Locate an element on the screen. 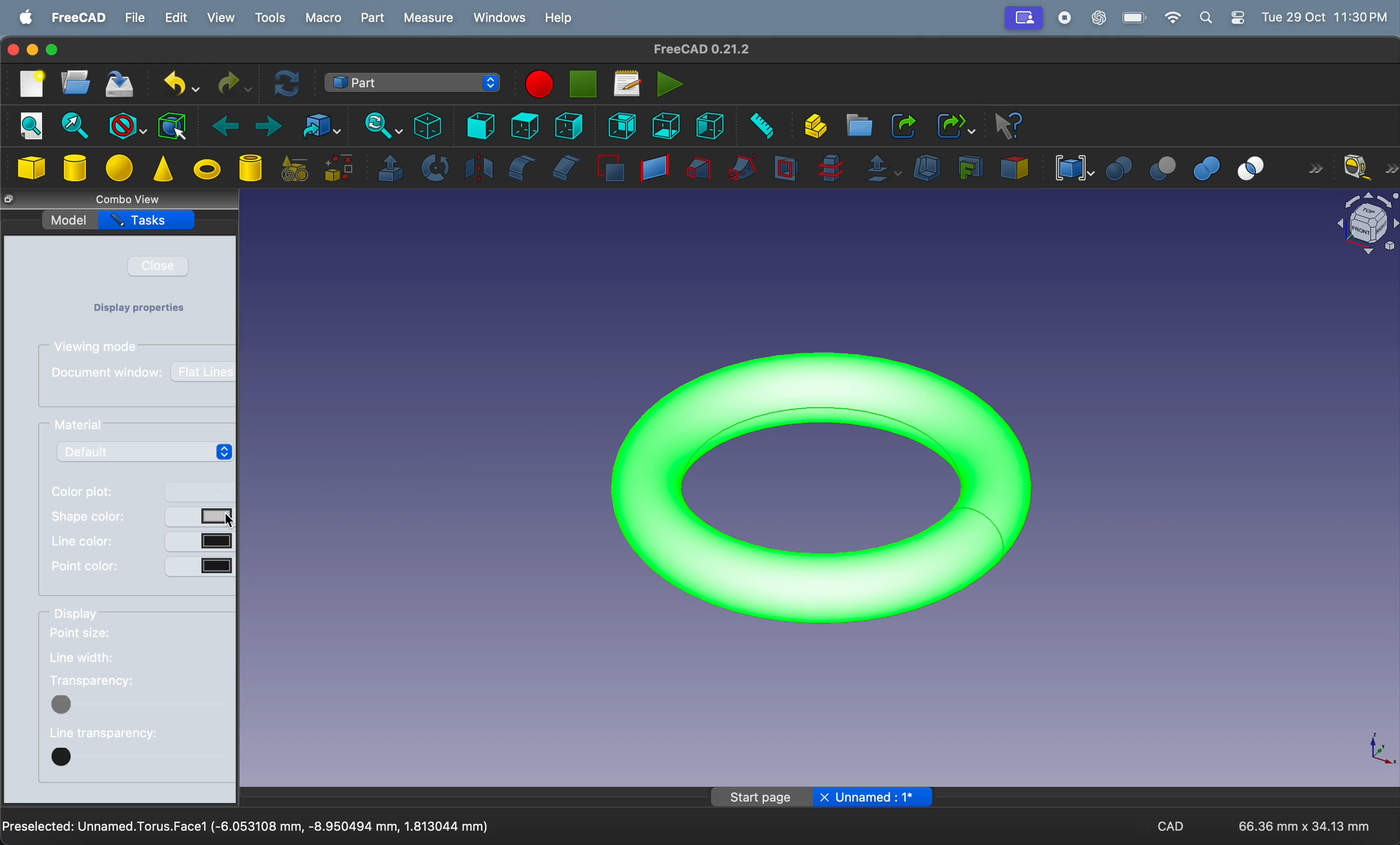 This screenshot has width=1400, height=845. flat lines is located at coordinates (202, 373).